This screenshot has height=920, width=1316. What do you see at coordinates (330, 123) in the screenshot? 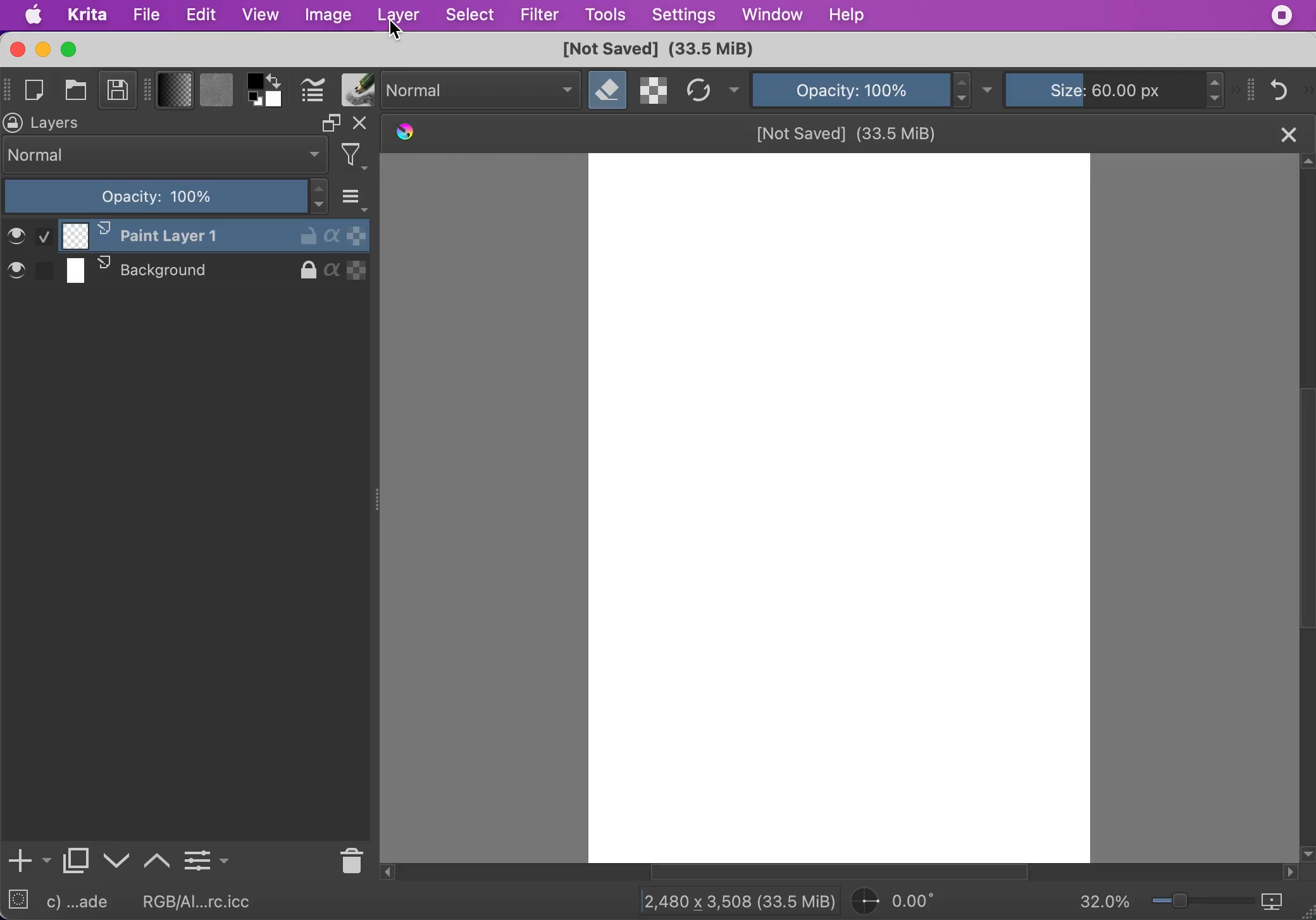
I see `float docker` at bounding box center [330, 123].